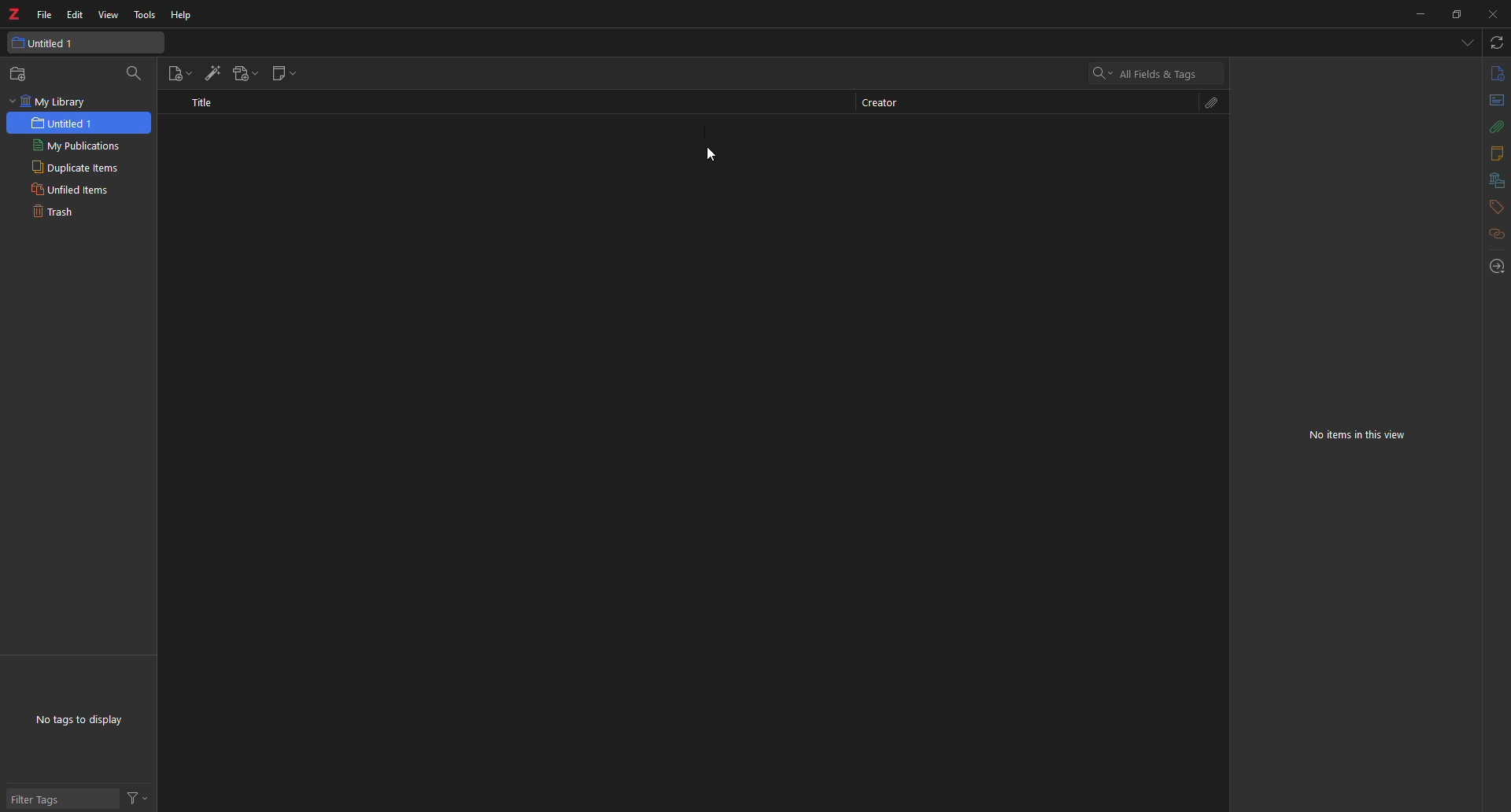  What do you see at coordinates (78, 146) in the screenshot?
I see `my publications` at bounding box center [78, 146].